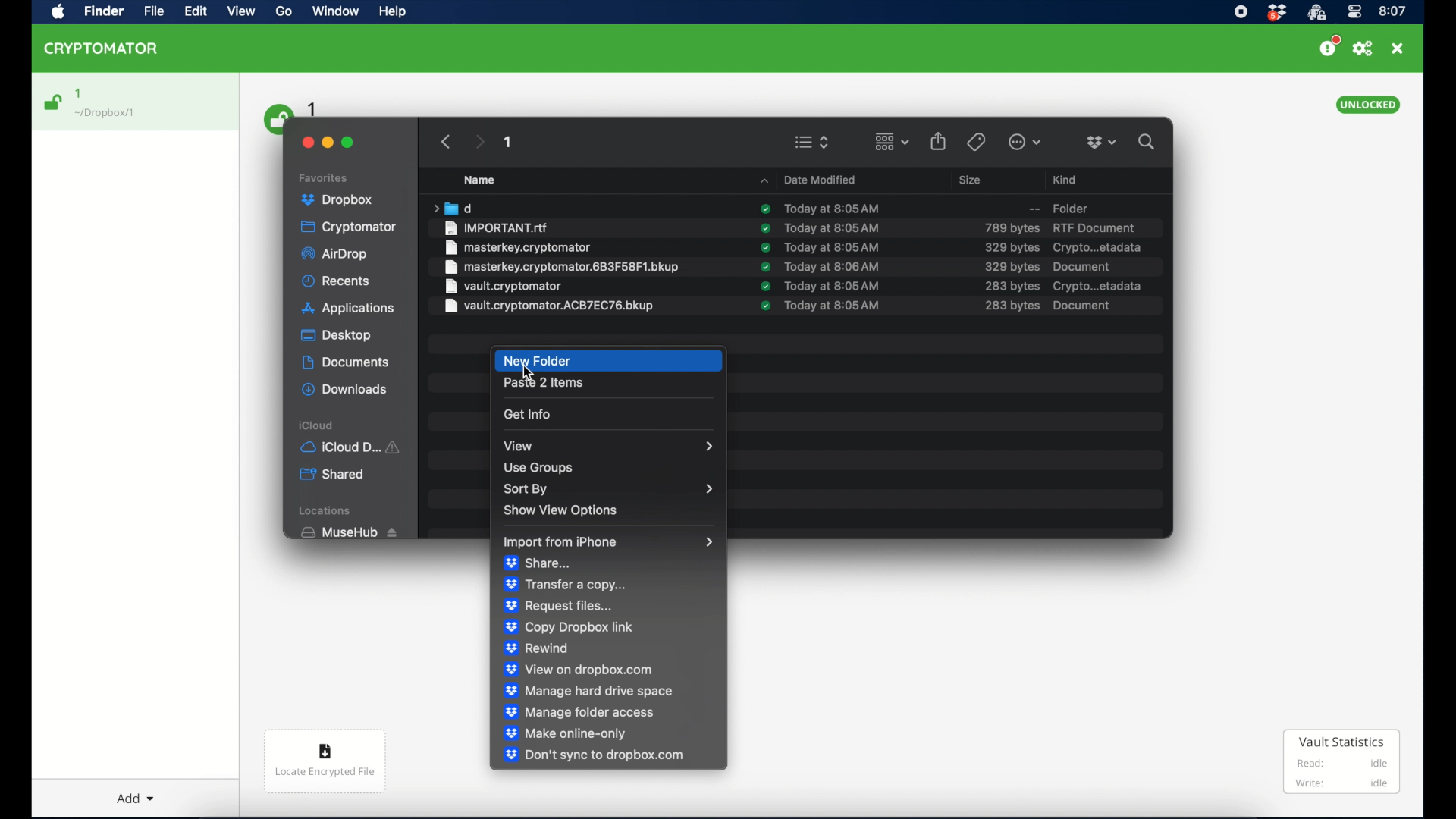  Describe the element at coordinates (349, 143) in the screenshot. I see `maximize` at that location.